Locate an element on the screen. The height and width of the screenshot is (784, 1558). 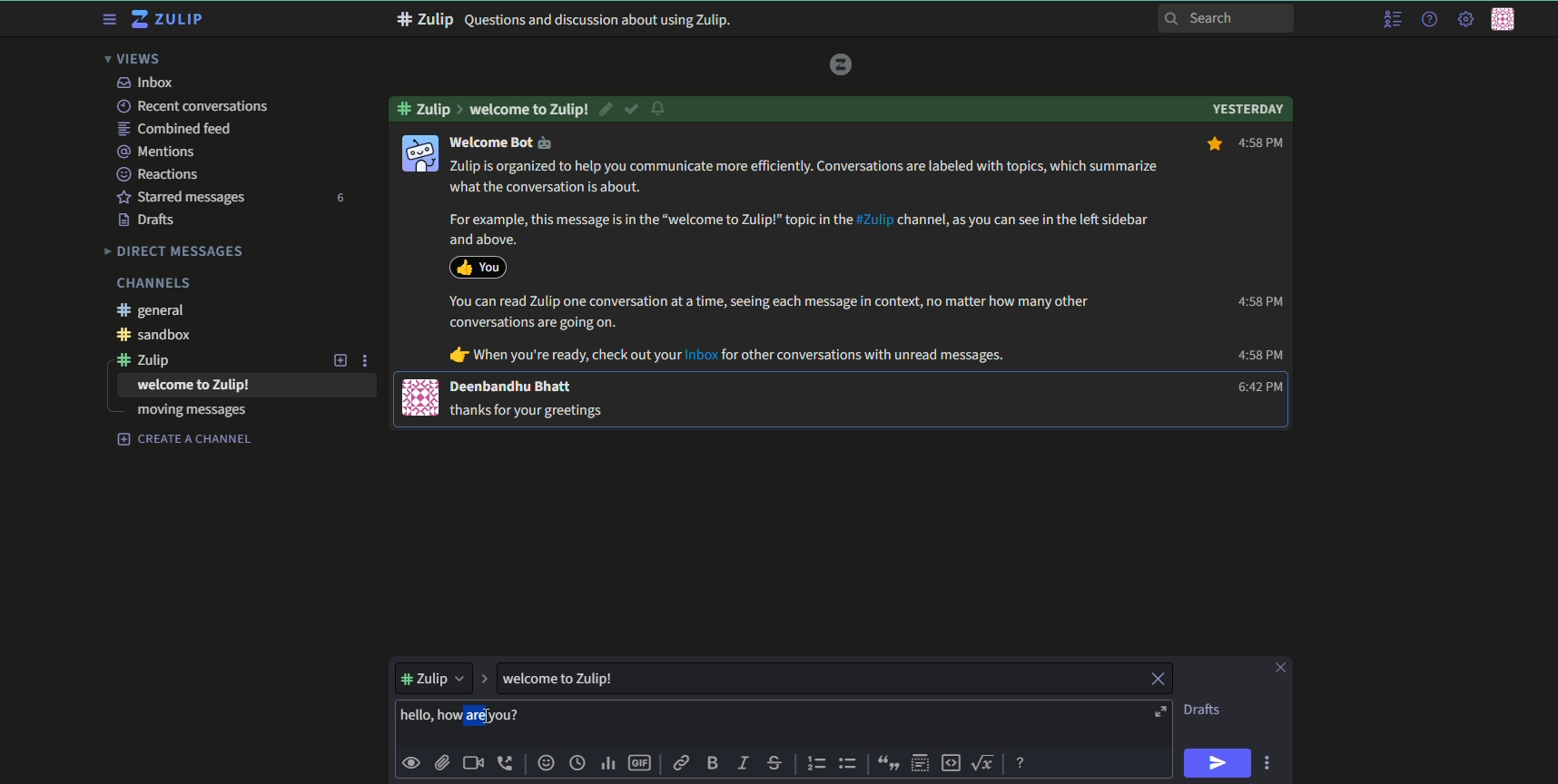
mentions is located at coordinates (159, 151).